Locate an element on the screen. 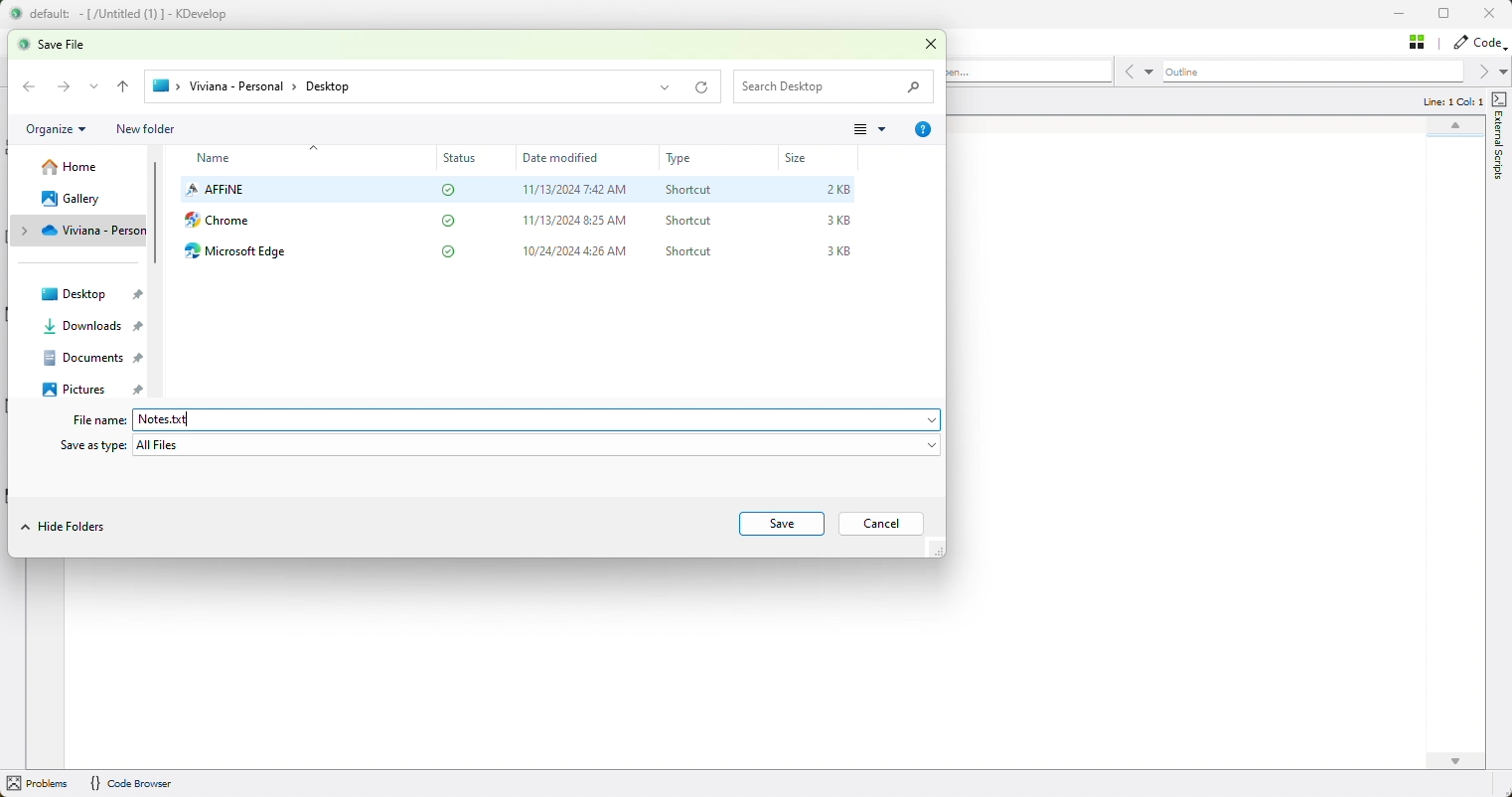  dropdown is located at coordinates (94, 87).